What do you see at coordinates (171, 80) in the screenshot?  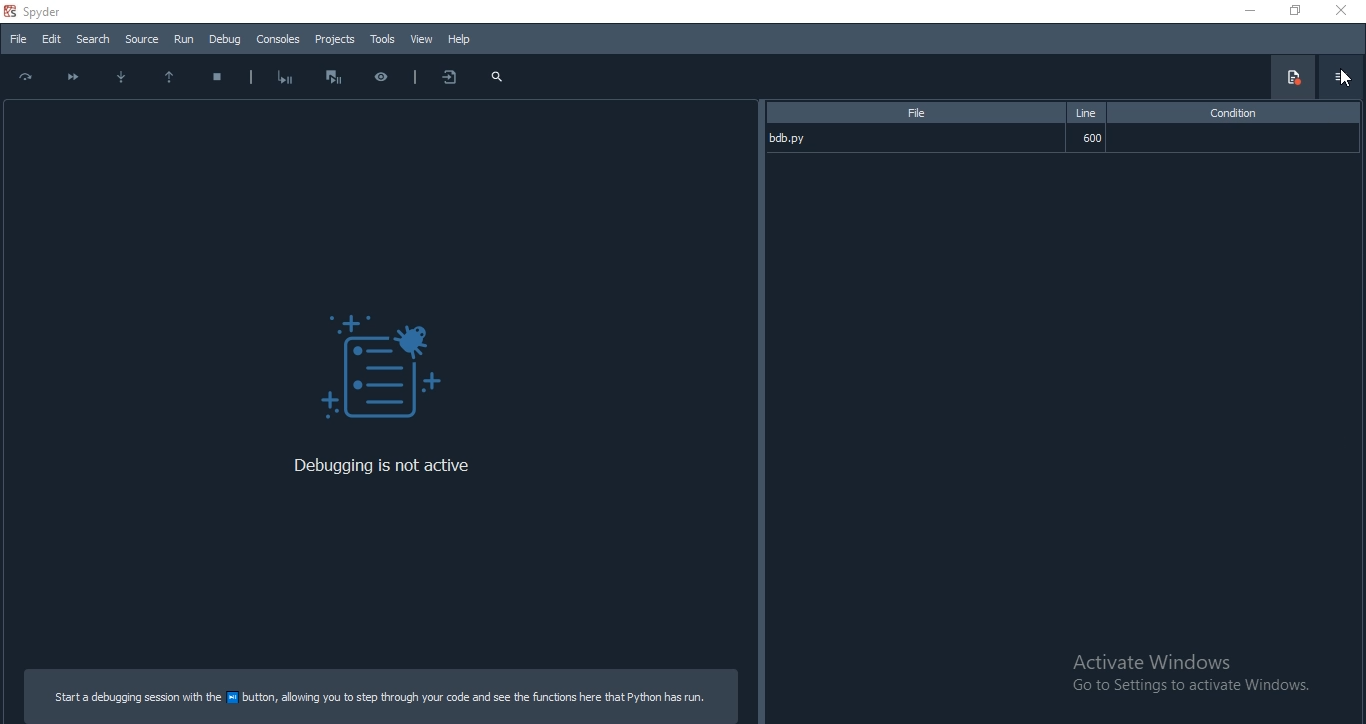 I see `Execute till; function or methods return` at bounding box center [171, 80].